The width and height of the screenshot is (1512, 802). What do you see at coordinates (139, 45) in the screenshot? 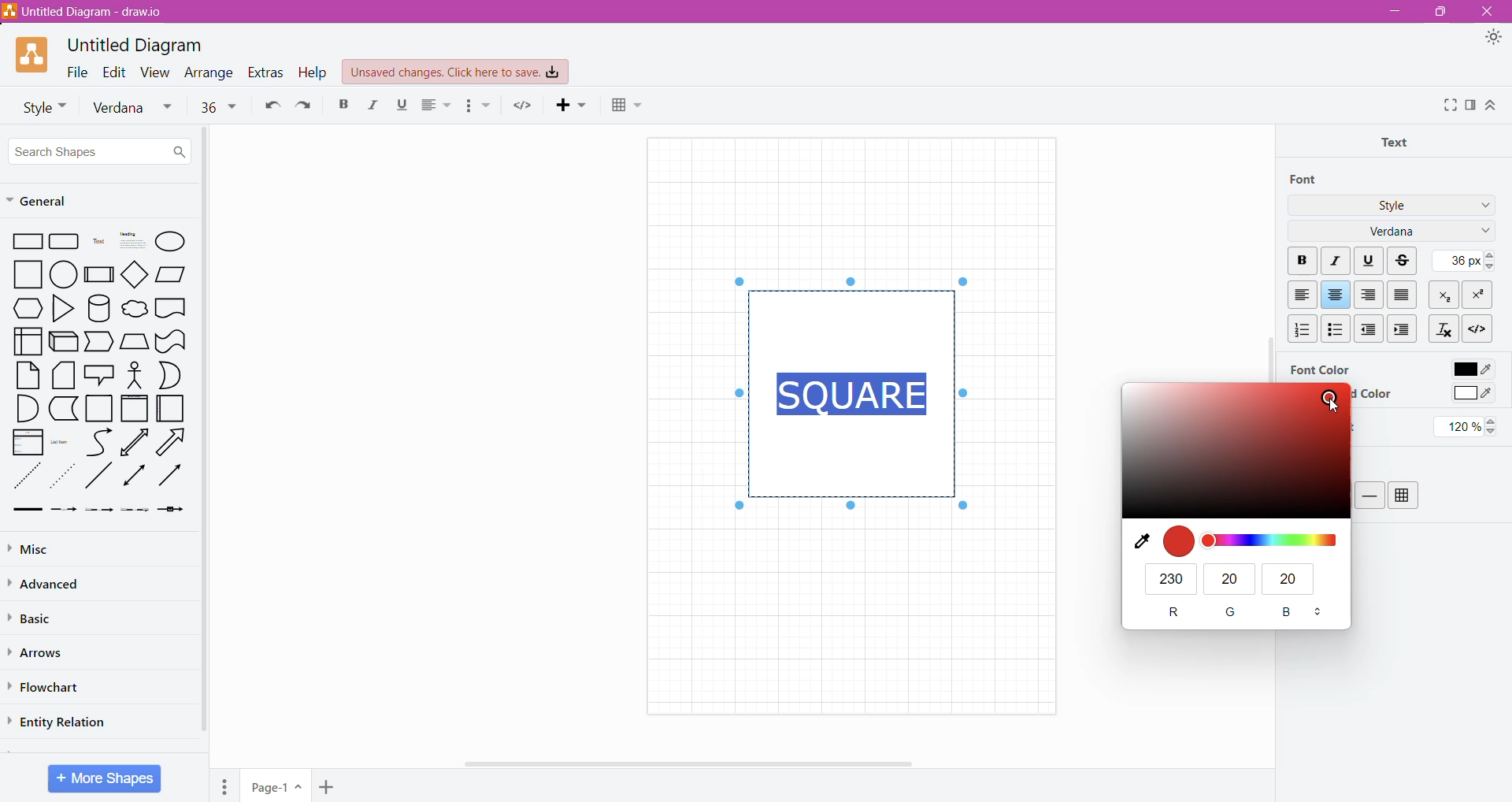
I see `Untitled Diagram` at bounding box center [139, 45].